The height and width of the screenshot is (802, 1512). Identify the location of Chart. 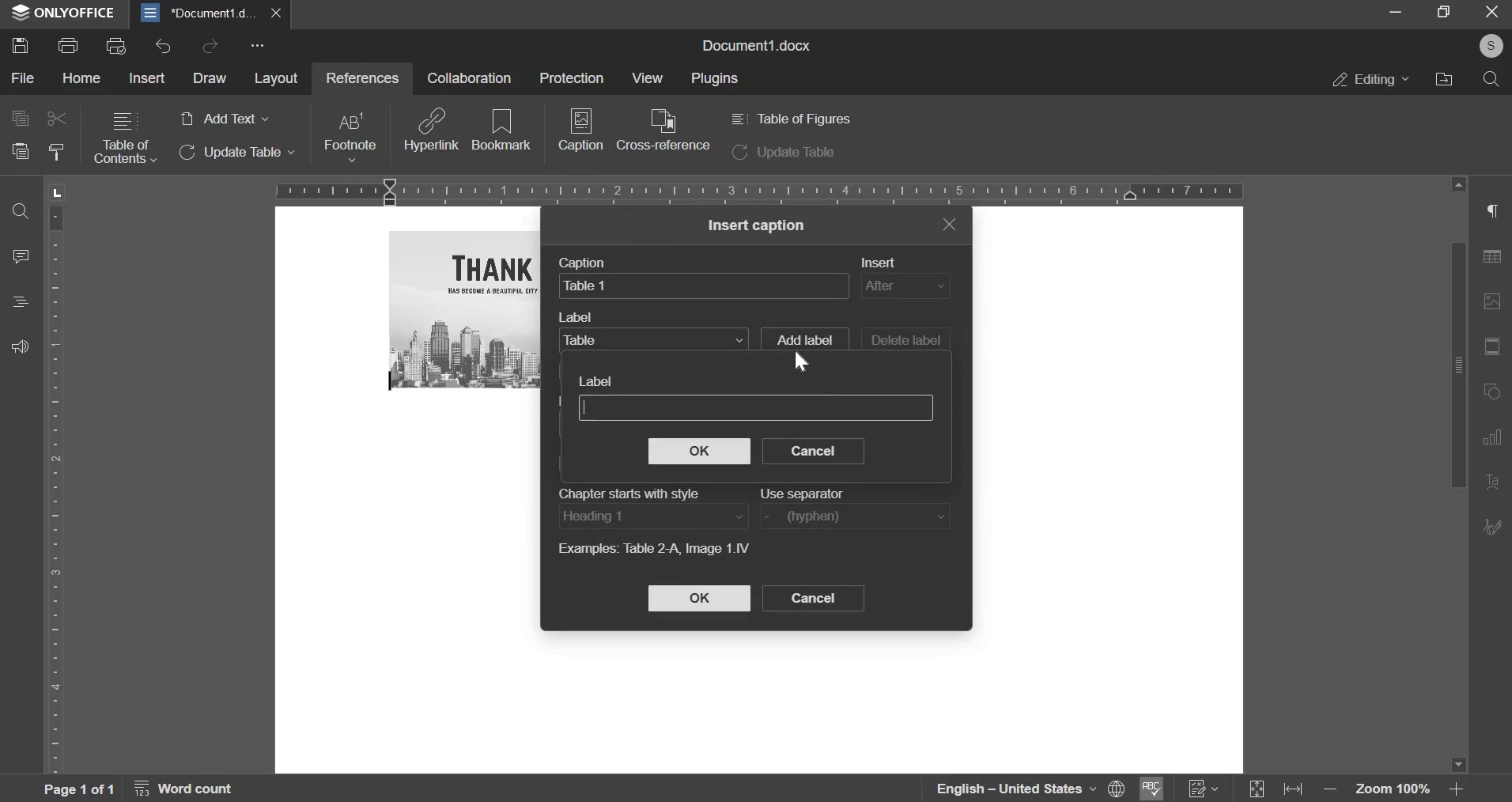
(1497, 437).